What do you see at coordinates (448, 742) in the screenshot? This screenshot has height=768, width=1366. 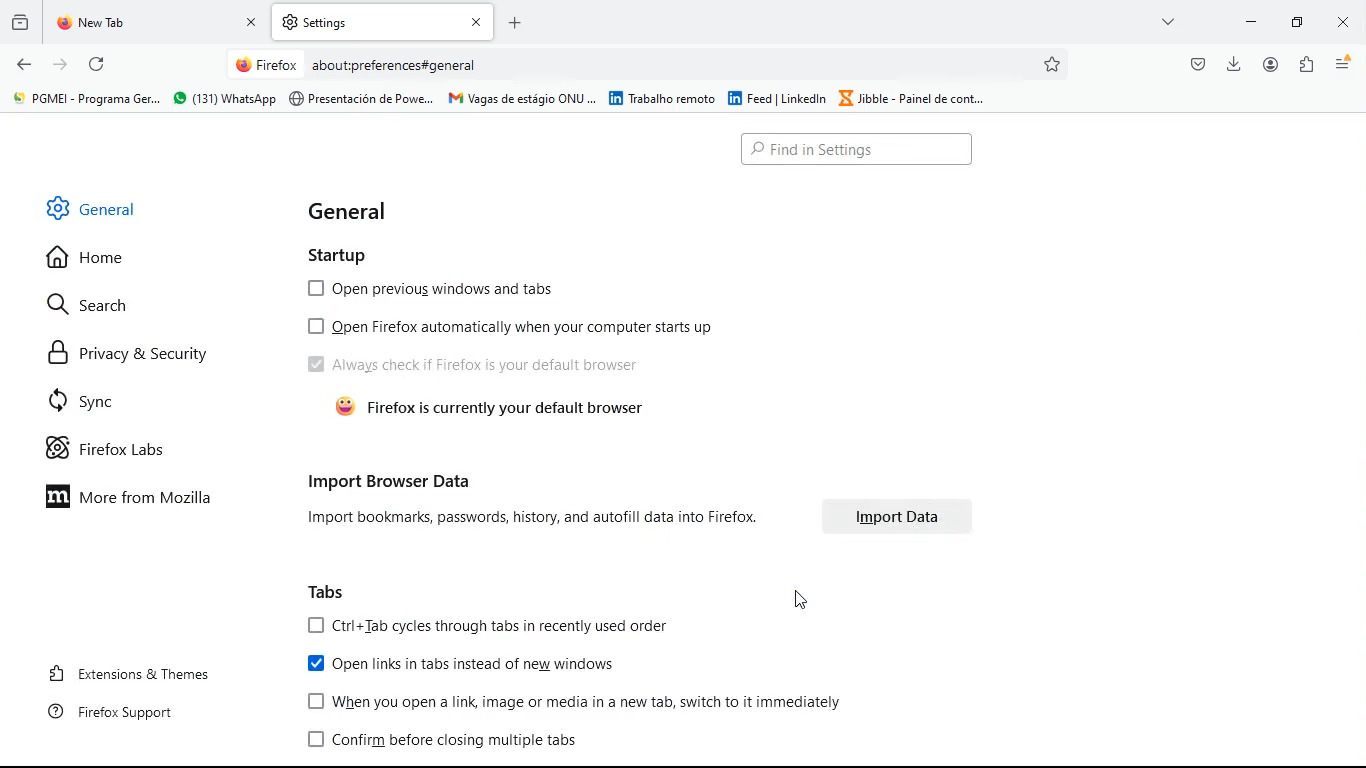 I see `confirm before closing multiple tabs` at bounding box center [448, 742].